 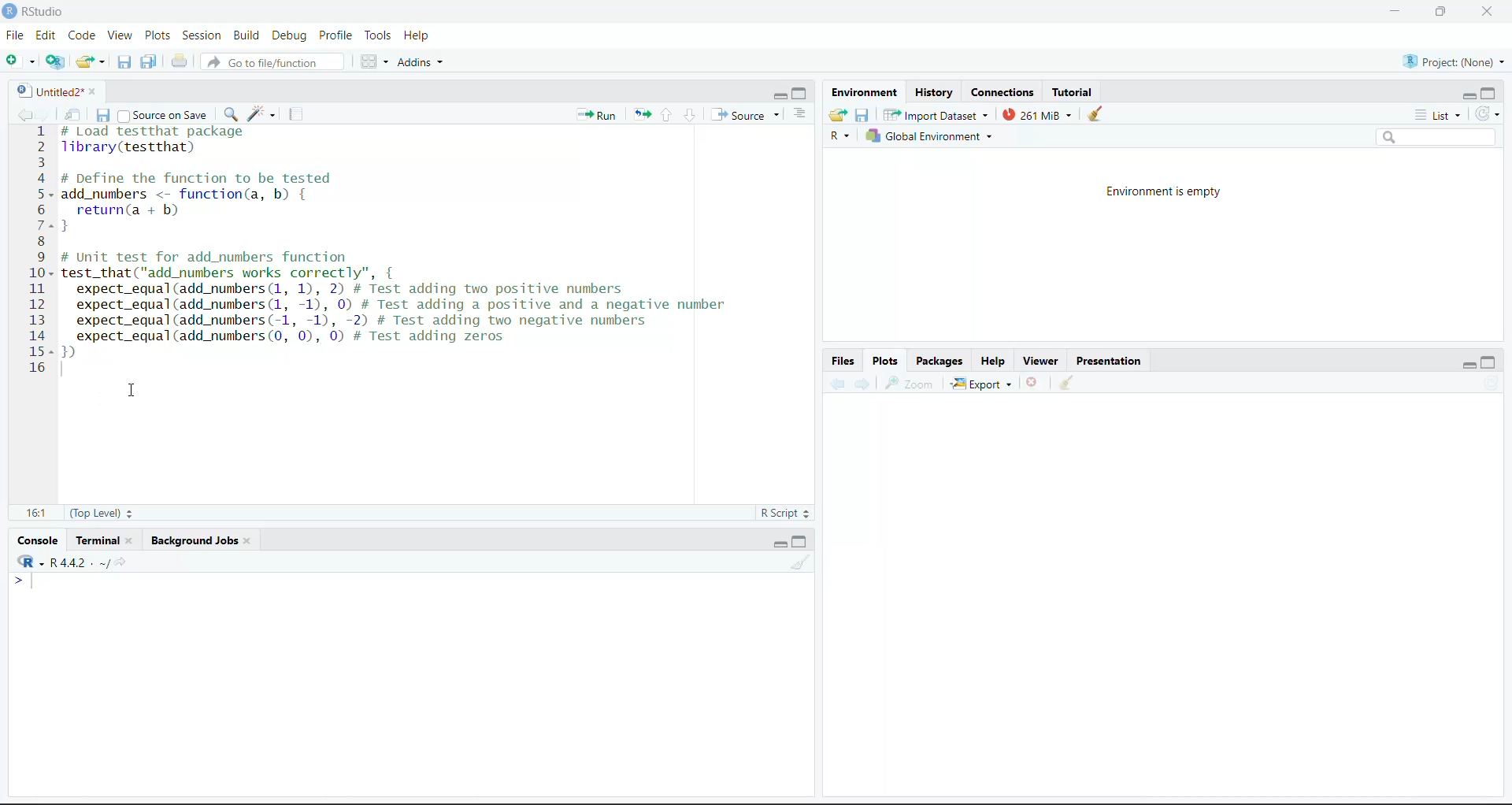 I want to click on Profile, so click(x=334, y=35).